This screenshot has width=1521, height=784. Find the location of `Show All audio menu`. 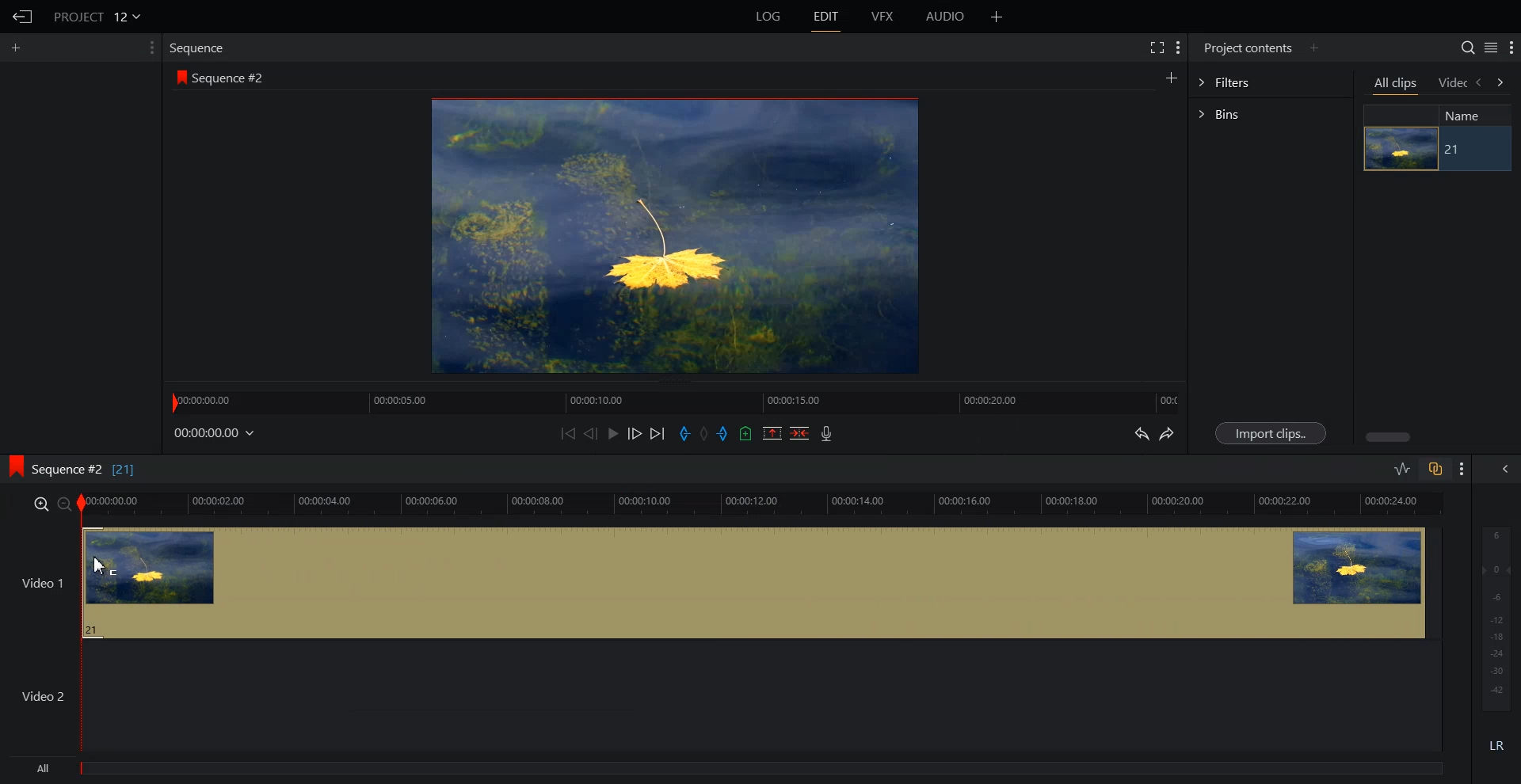

Show All audio menu is located at coordinates (1504, 469).